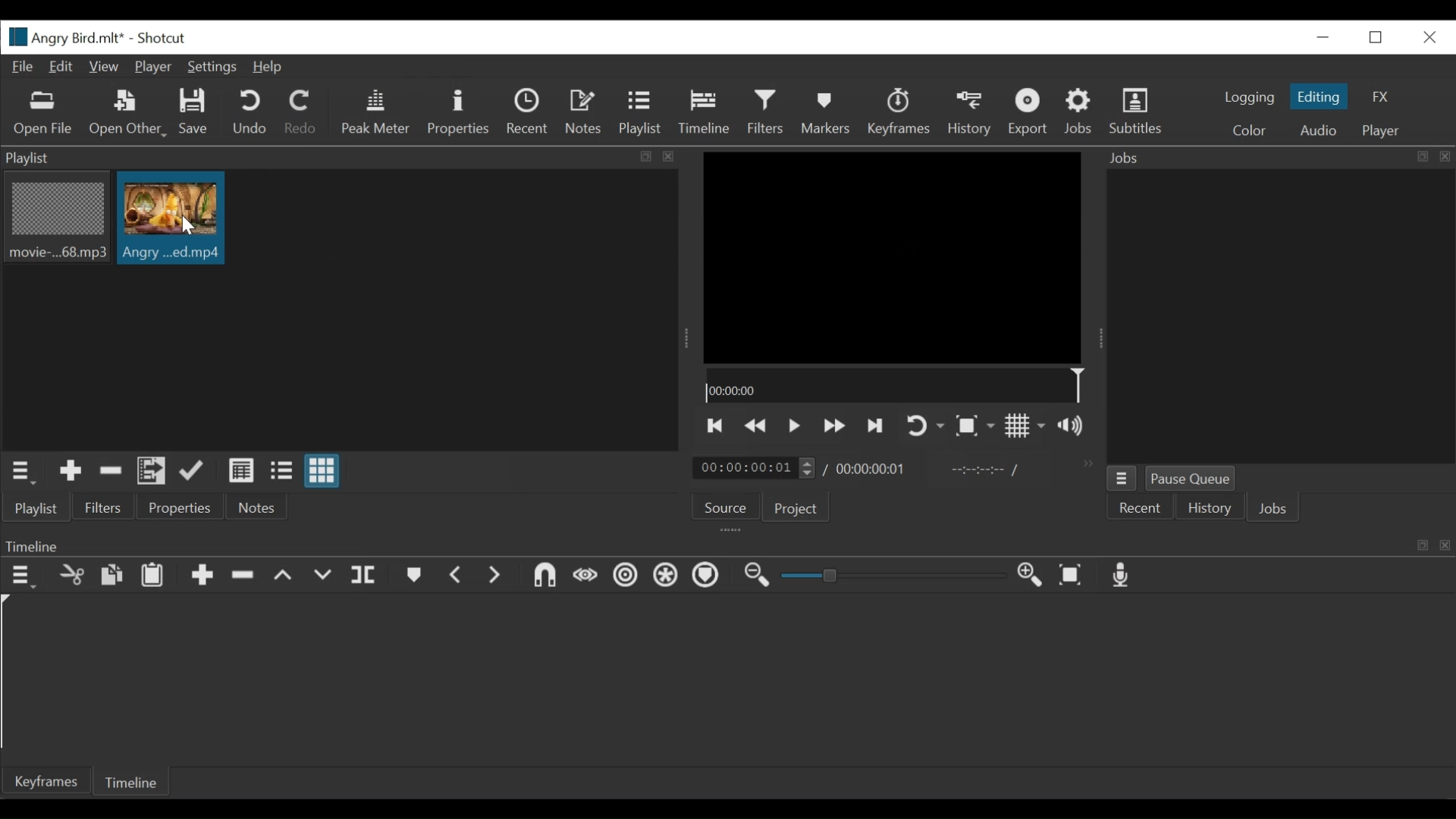 This screenshot has height=819, width=1456. I want to click on Zoom timeline to fit, so click(1073, 576).